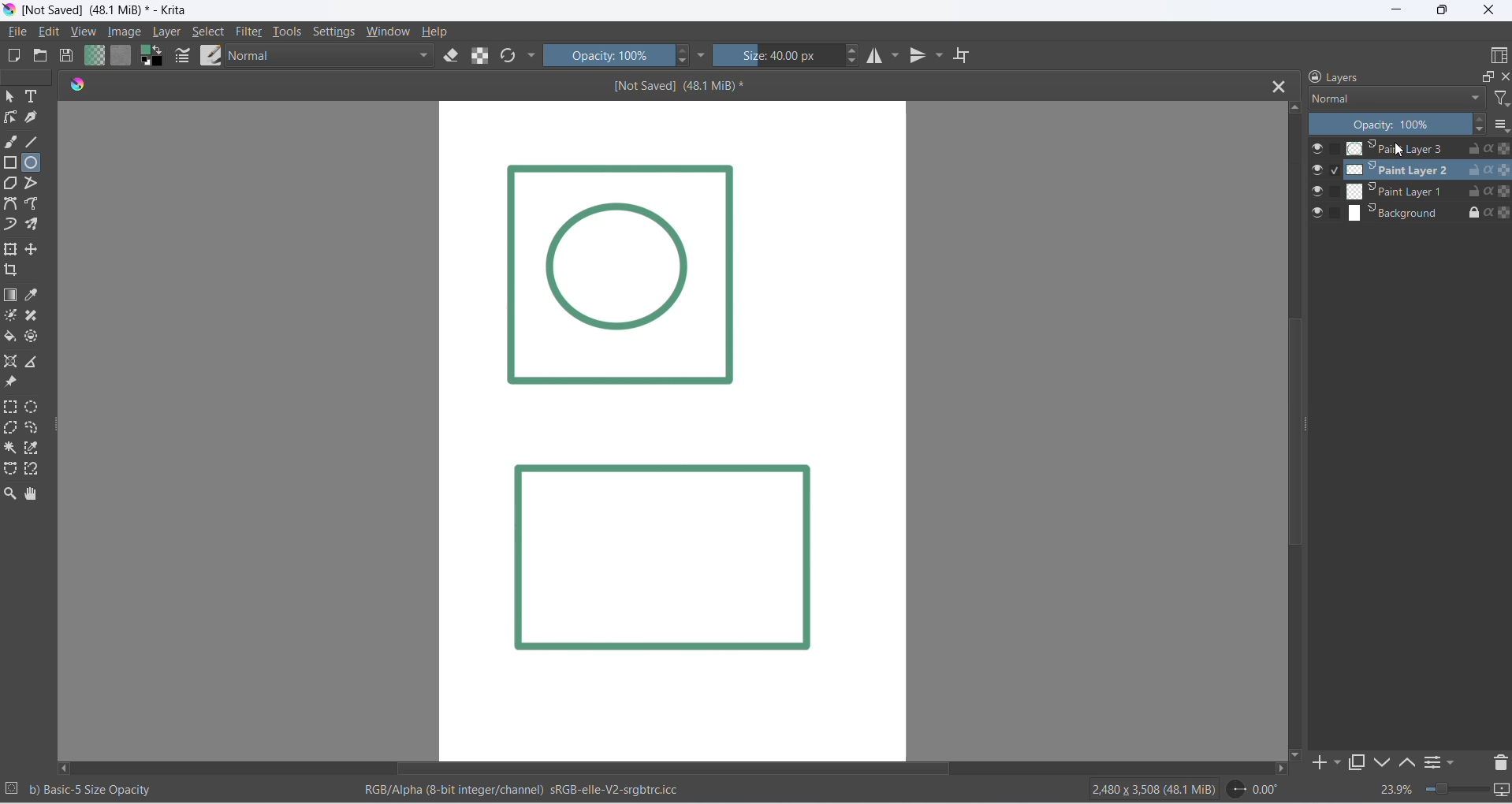 The image size is (1512, 804). I want to click on wrap around mode, so click(967, 57).